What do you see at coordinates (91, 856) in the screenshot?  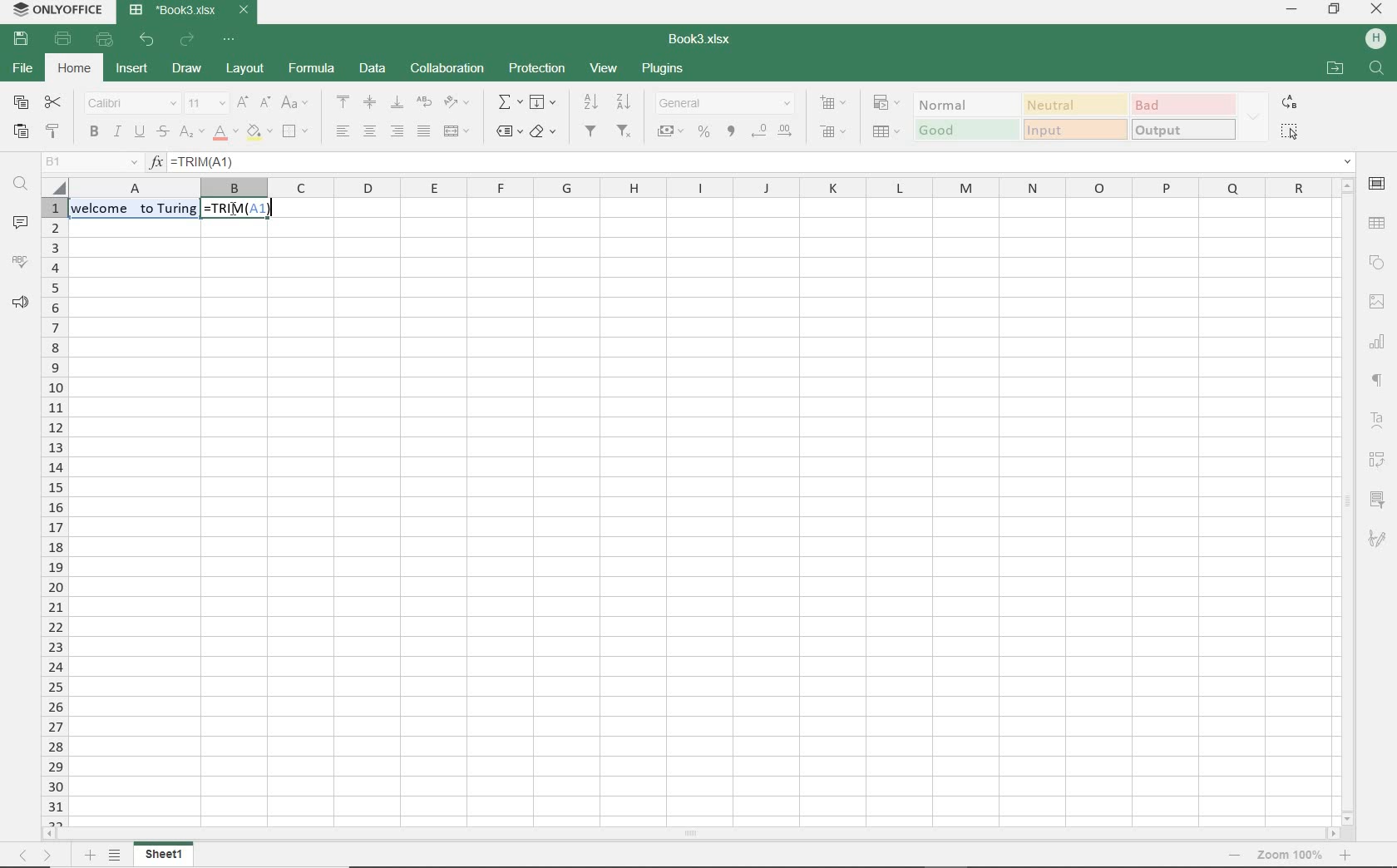 I see `add sheet` at bounding box center [91, 856].